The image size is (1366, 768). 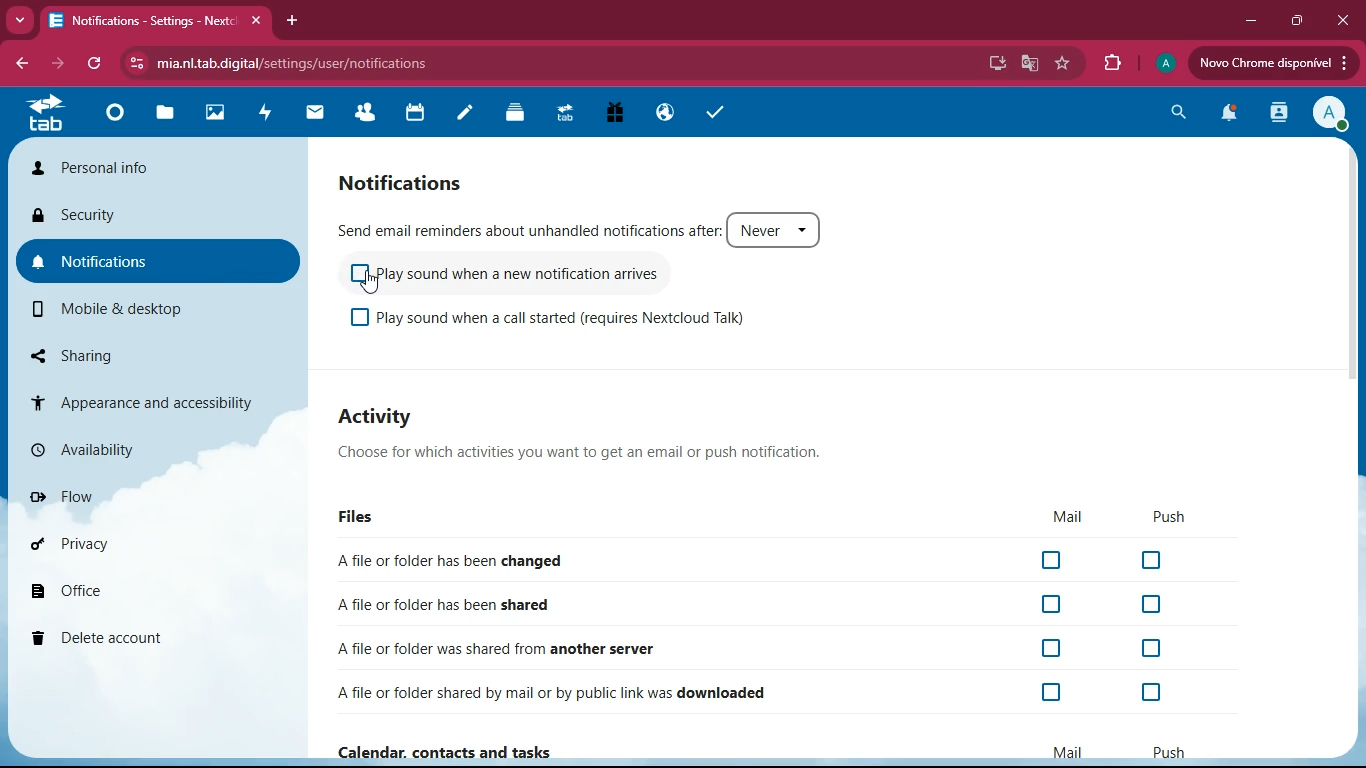 I want to click on more, so click(x=22, y=20).